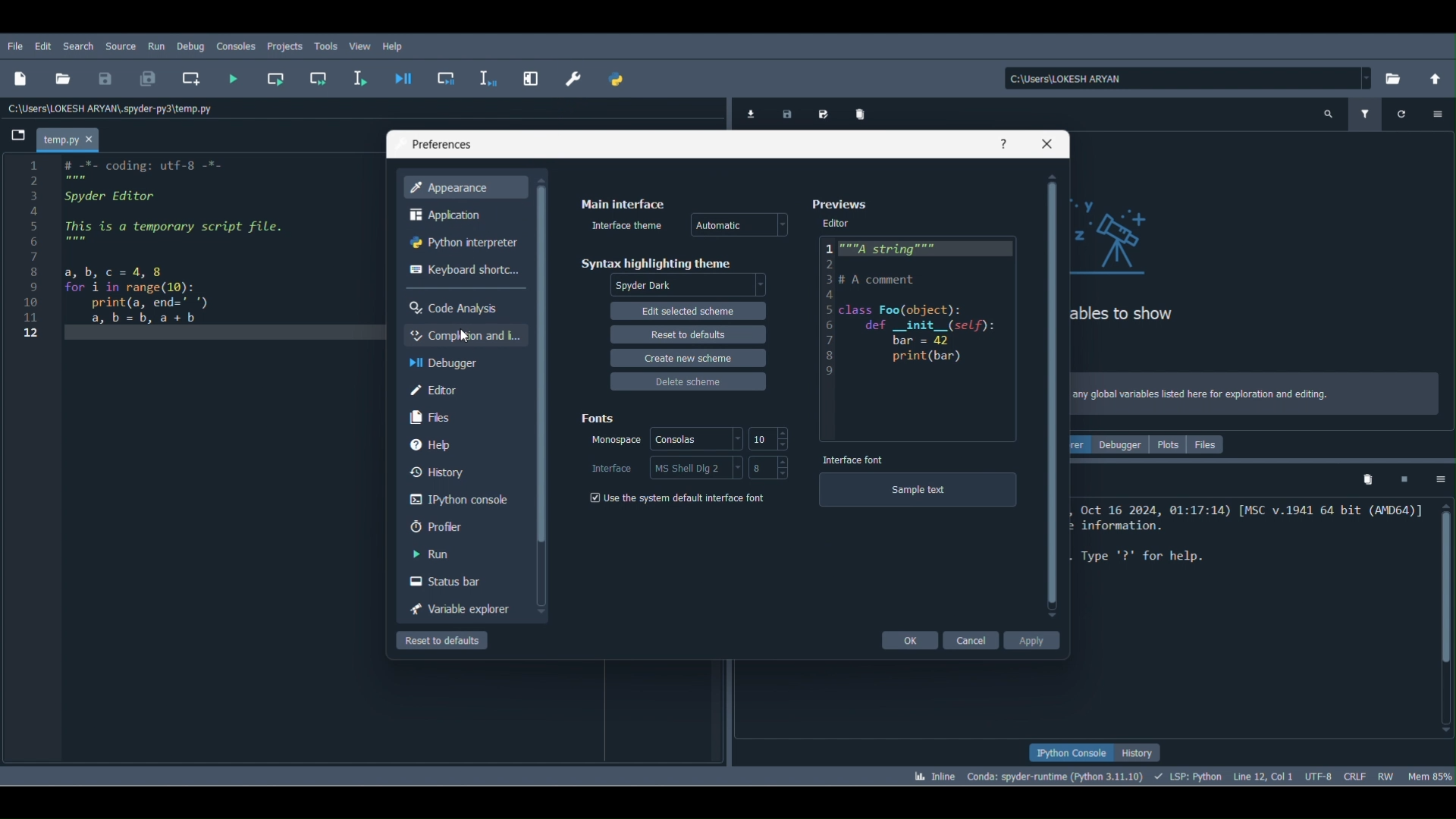 Image resolution: width=1456 pixels, height=819 pixels. What do you see at coordinates (1169, 444) in the screenshot?
I see `Plots` at bounding box center [1169, 444].